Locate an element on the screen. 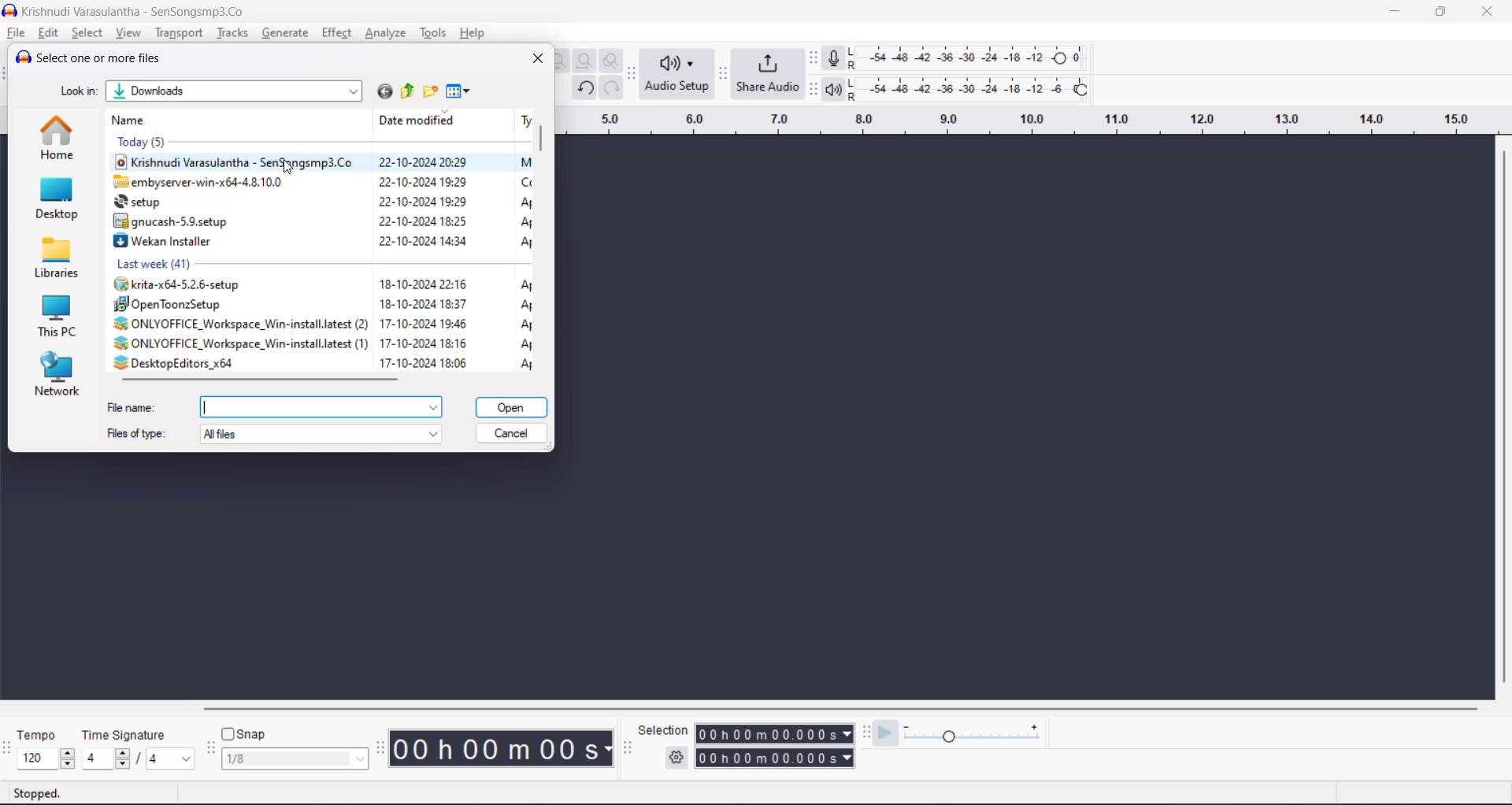 The height and width of the screenshot is (805, 1512). selection settings is located at coordinates (676, 757).